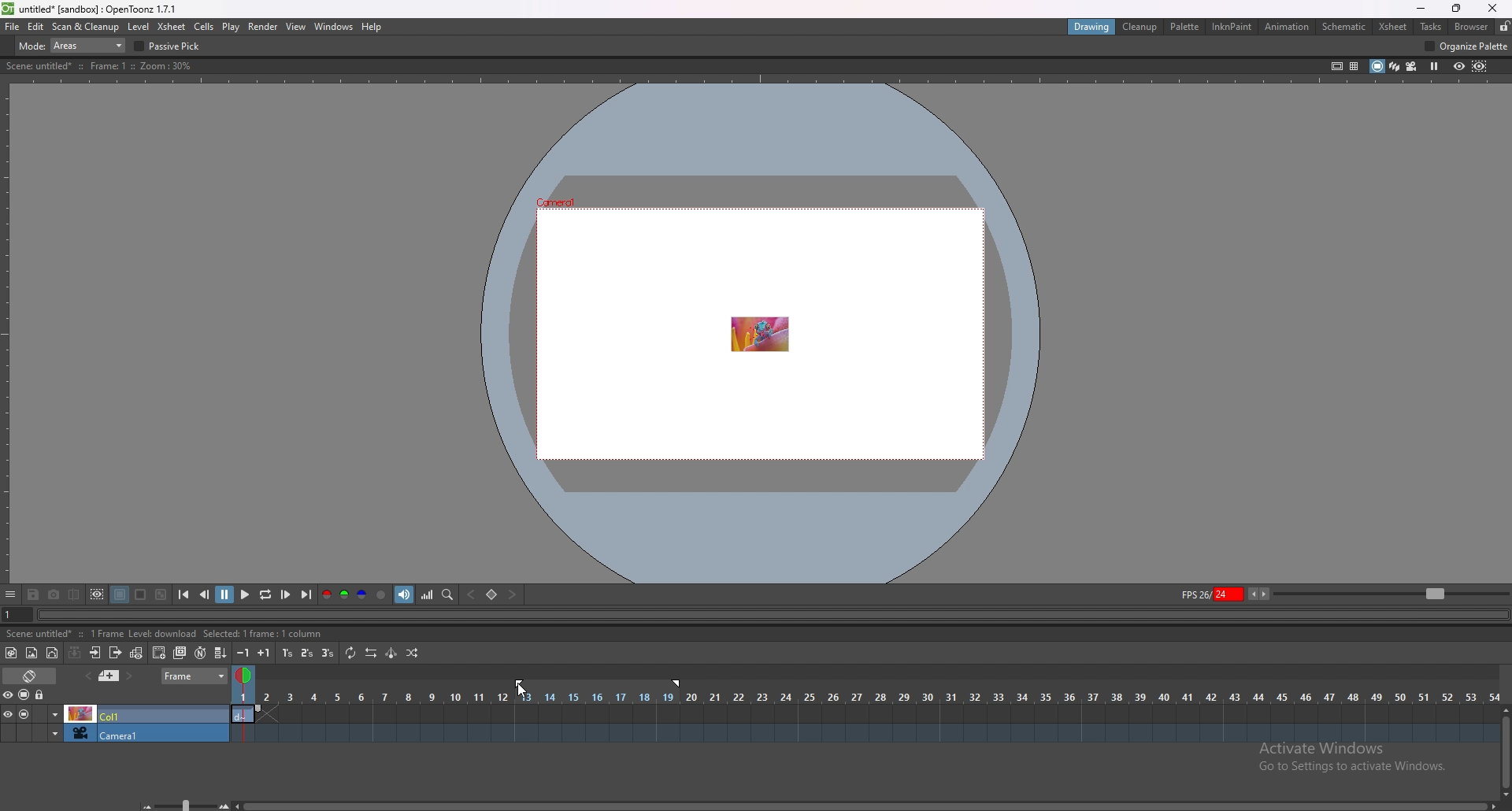  I want to click on new raster level`, so click(31, 653).